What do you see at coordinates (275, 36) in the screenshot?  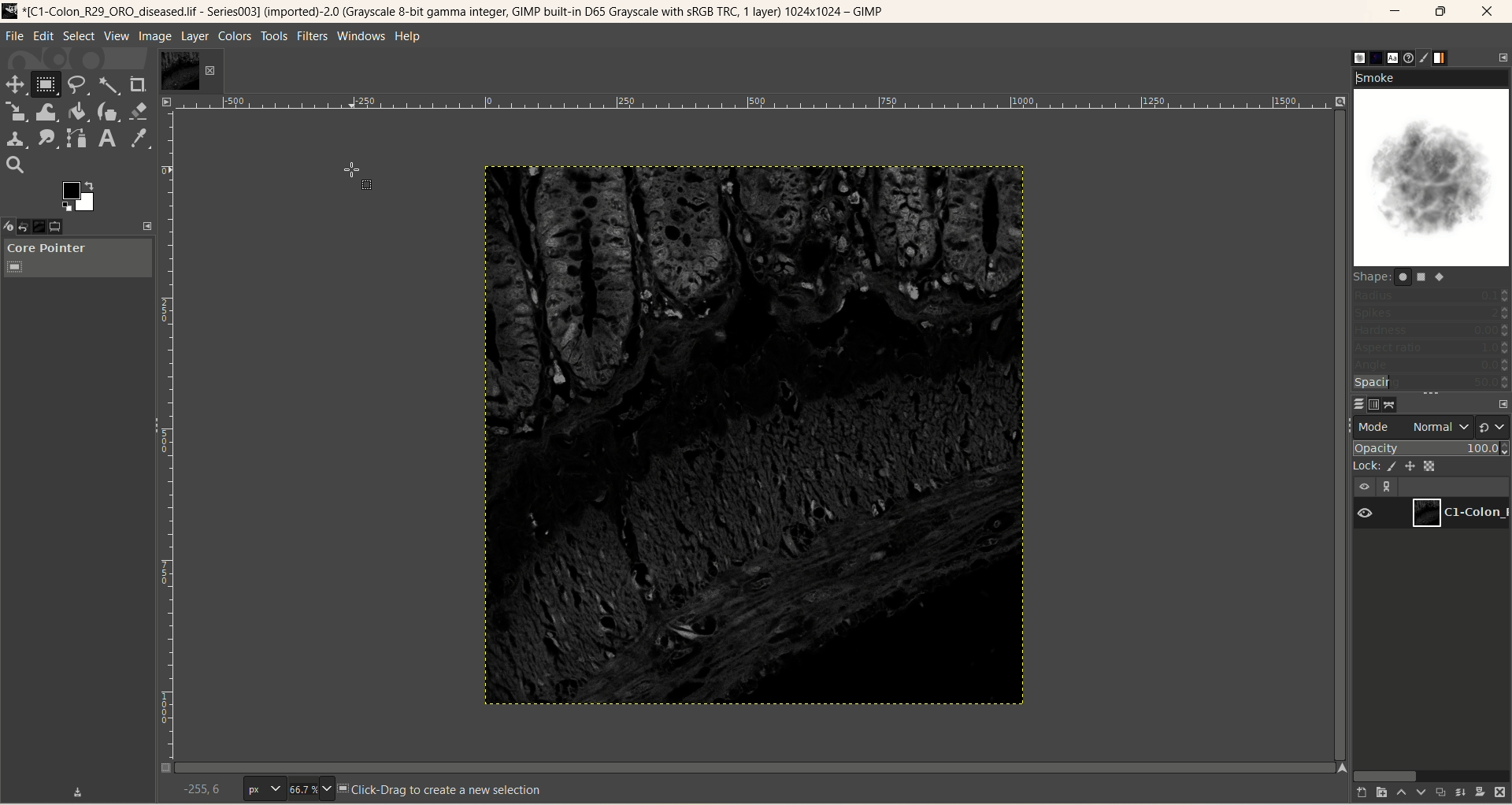 I see `tools` at bounding box center [275, 36].